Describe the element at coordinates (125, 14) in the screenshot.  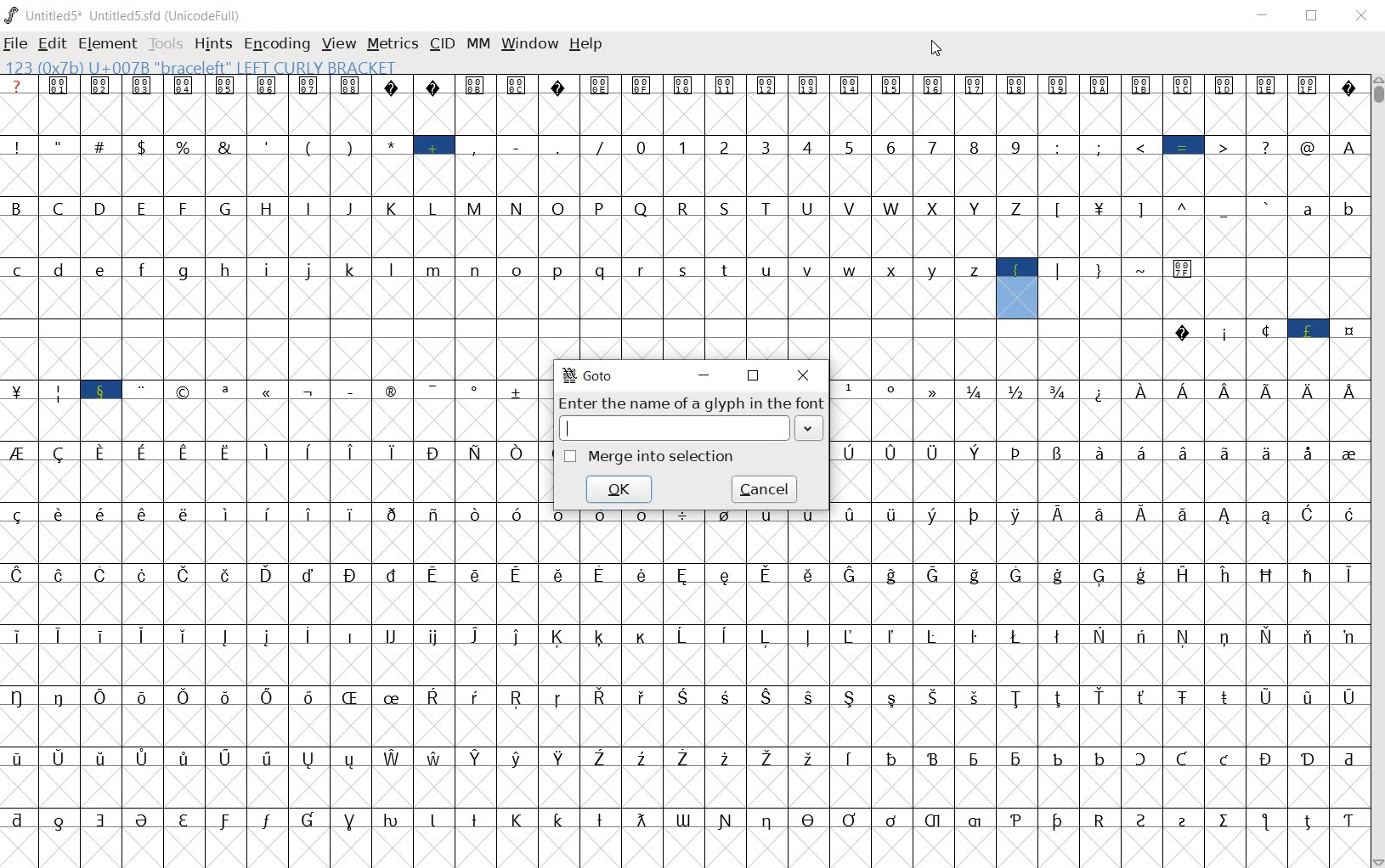
I see `Untitled5* Untitled5.sfd (UnicodeFull)` at that location.